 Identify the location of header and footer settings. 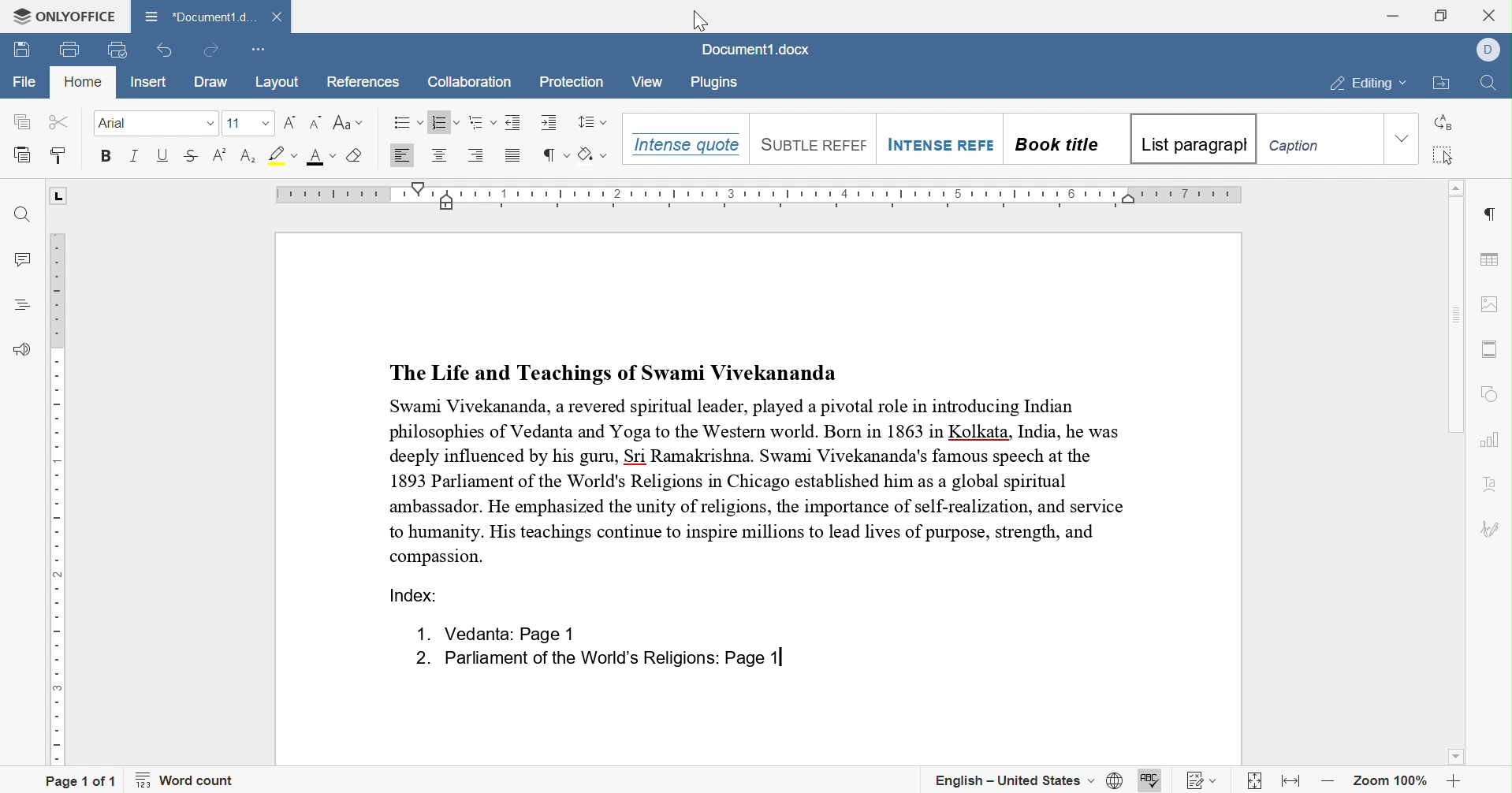
(1488, 349).